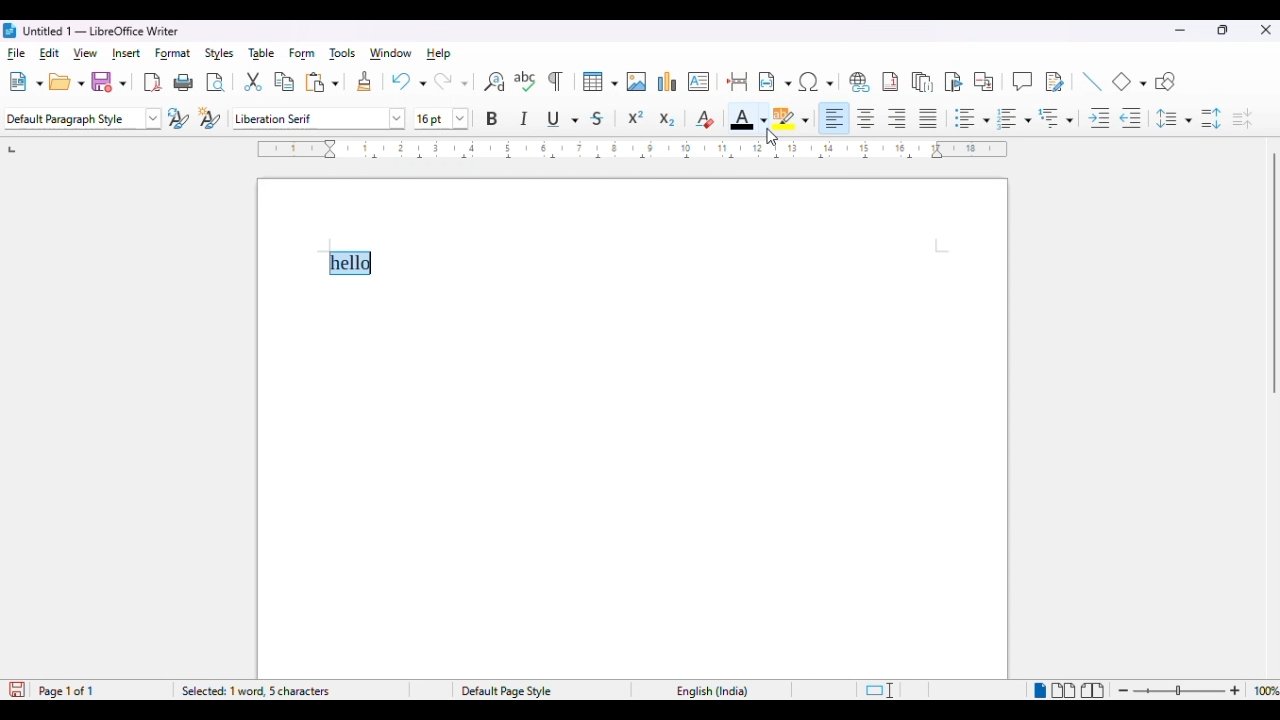 The height and width of the screenshot is (720, 1280). I want to click on increase indent, so click(1098, 119).